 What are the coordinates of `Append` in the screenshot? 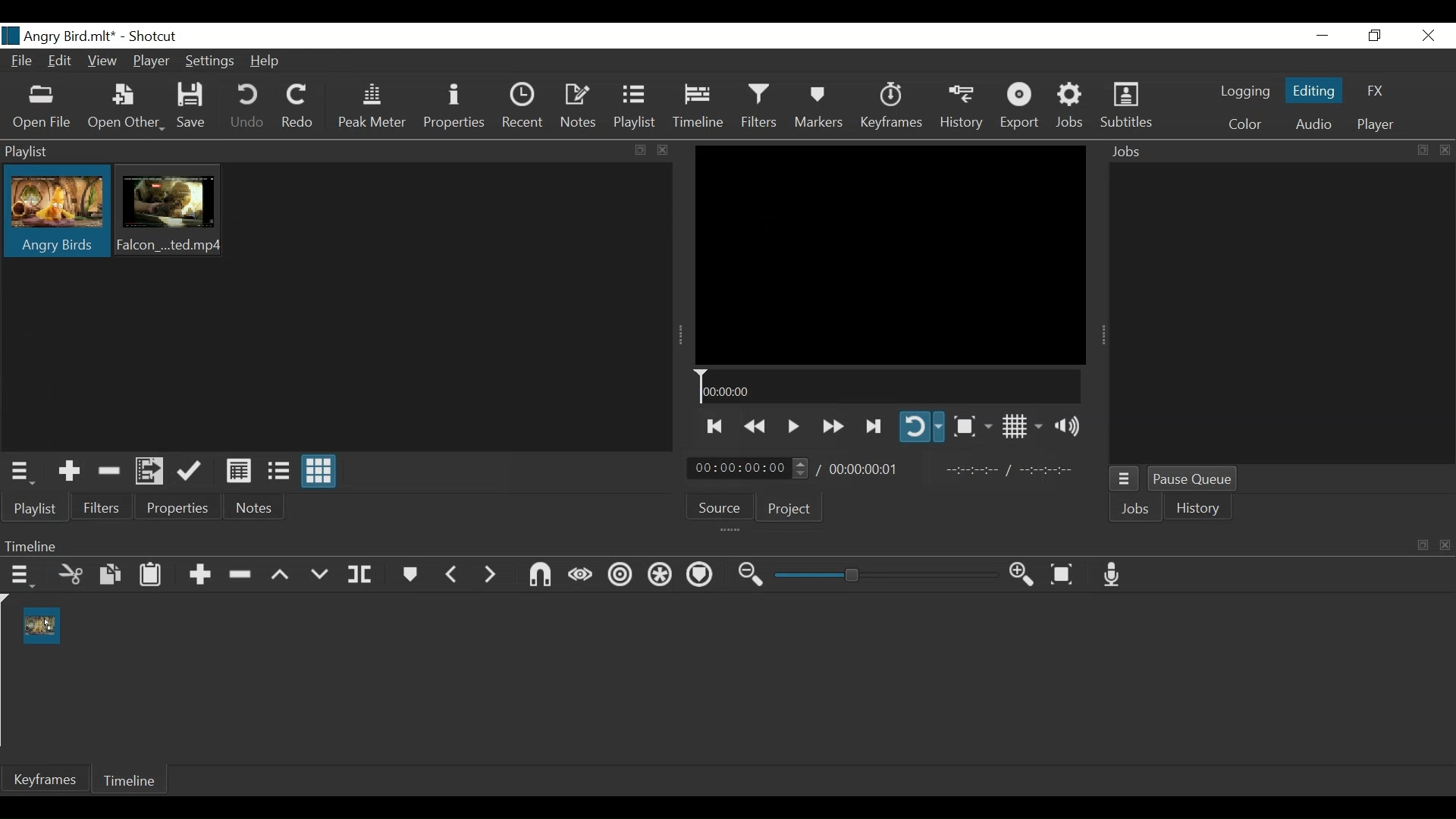 It's located at (201, 573).